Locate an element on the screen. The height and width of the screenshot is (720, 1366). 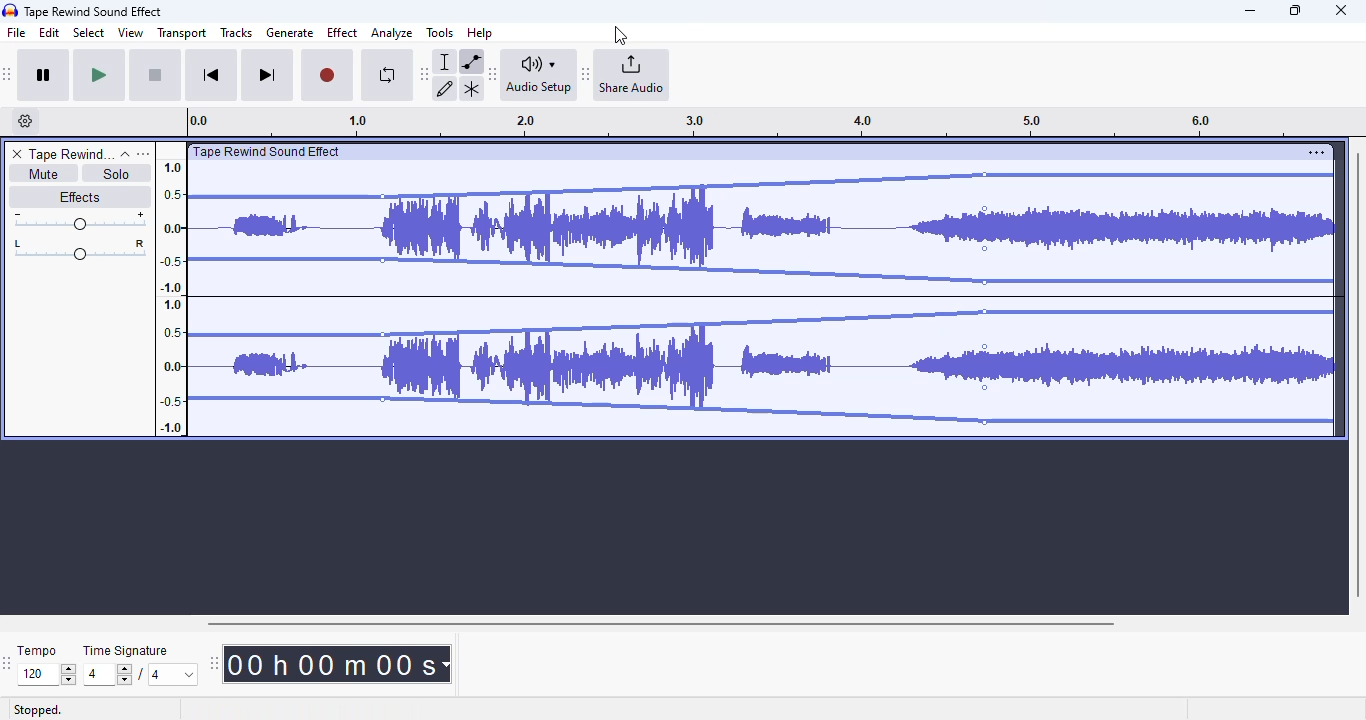
volume increased is located at coordinates (1147, 290).